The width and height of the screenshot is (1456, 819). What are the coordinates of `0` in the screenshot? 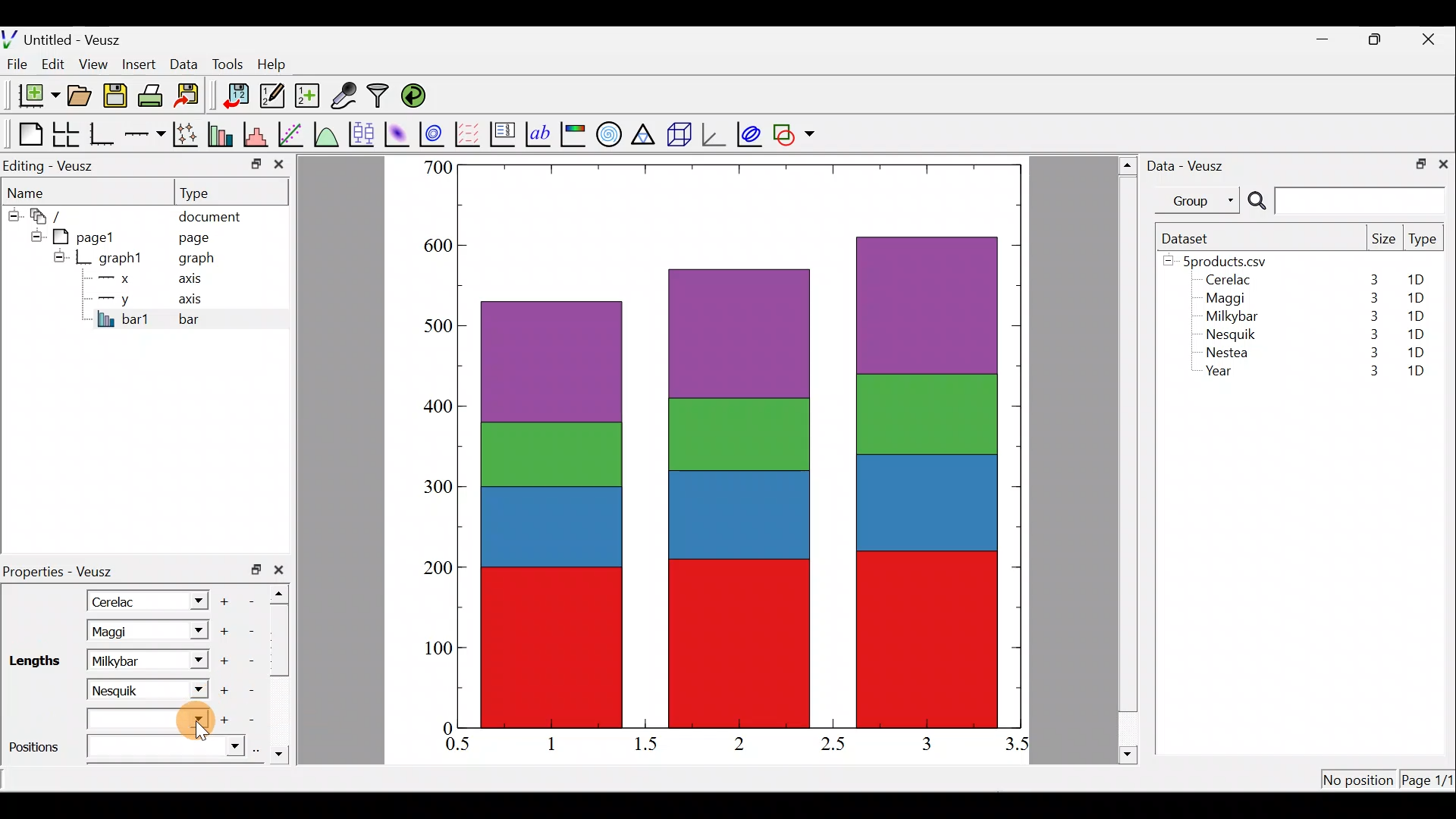 It's located at (445, 727).